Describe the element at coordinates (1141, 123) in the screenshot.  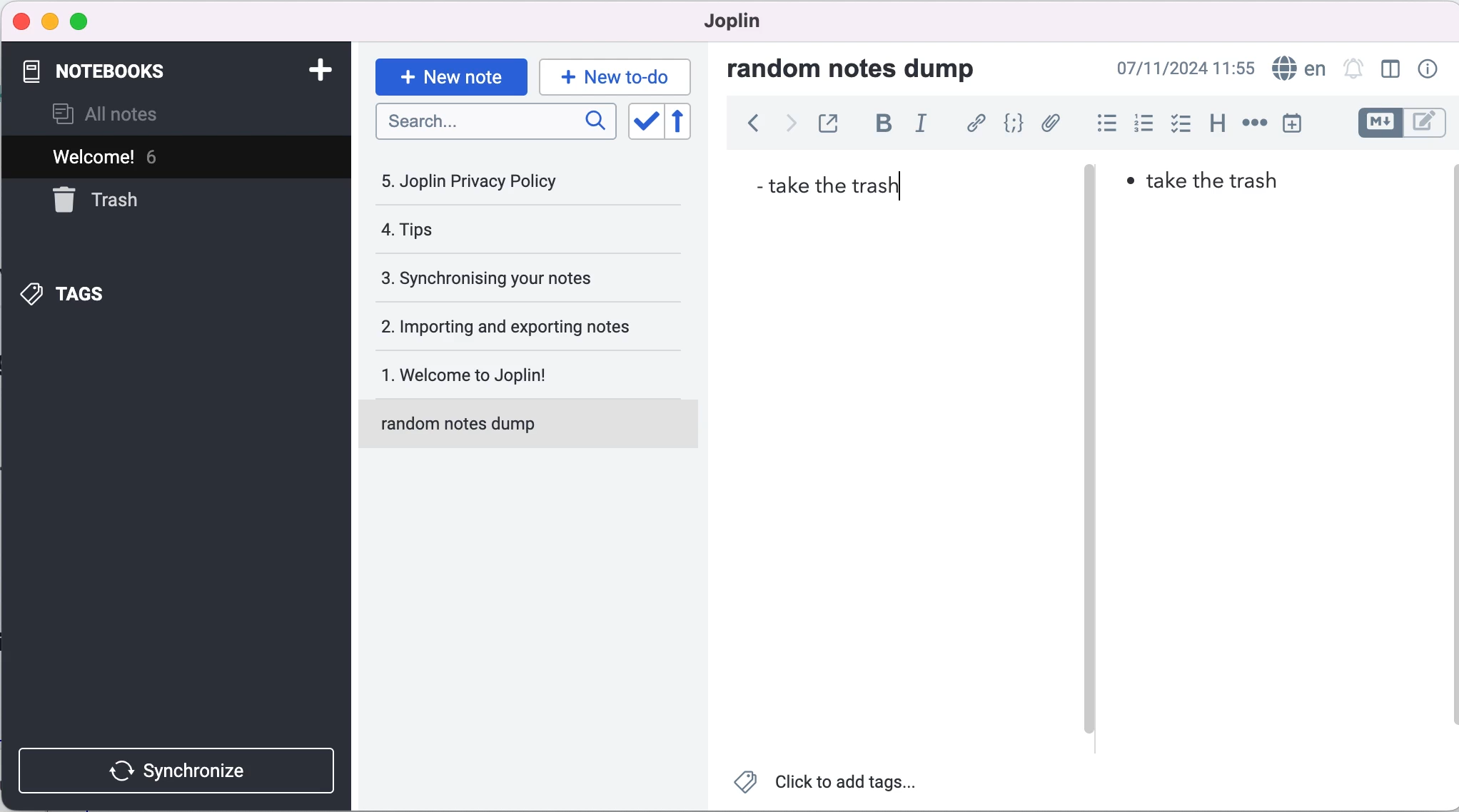
I see `numbered list` at that location.